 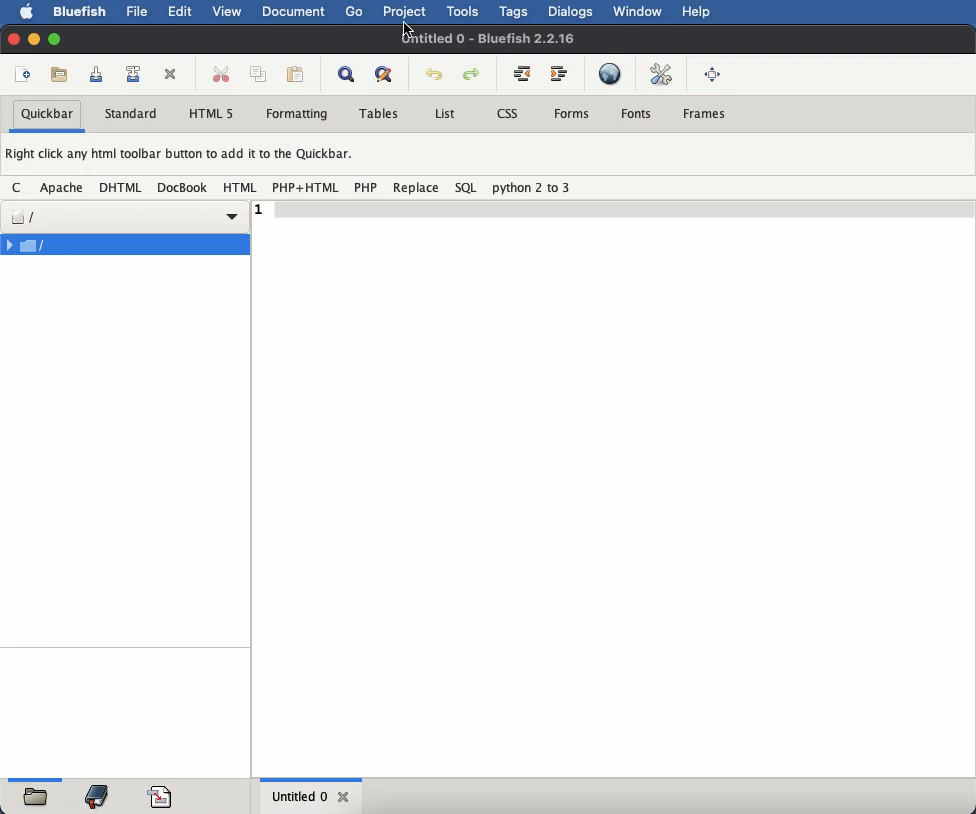 What do you see at coordinates (381, 114) in the screenshot?
I see `tables` at bounding box center [381, 114].